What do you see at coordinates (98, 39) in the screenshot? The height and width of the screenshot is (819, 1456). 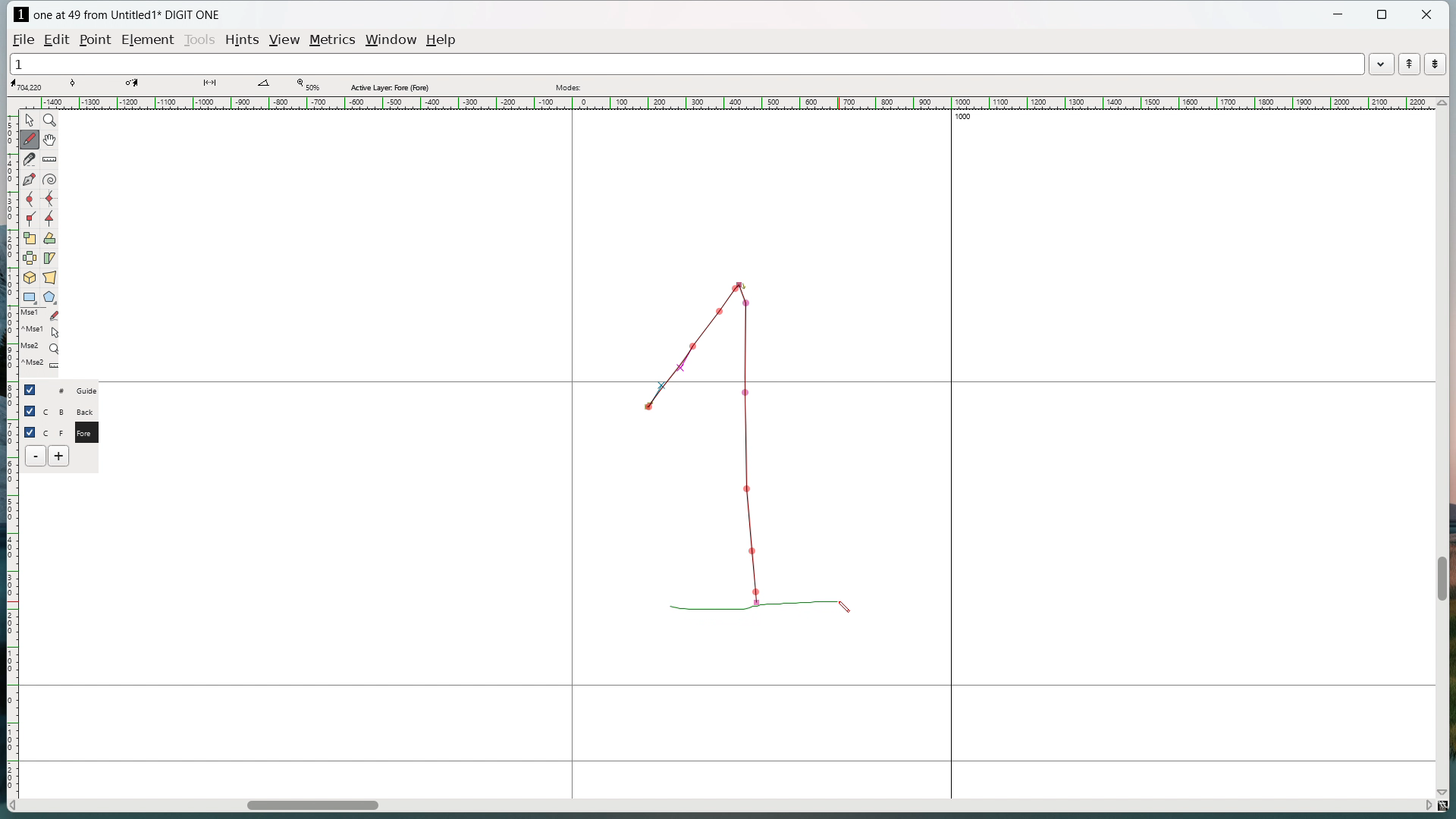 I see `Point` at bounding box center [98, 39].